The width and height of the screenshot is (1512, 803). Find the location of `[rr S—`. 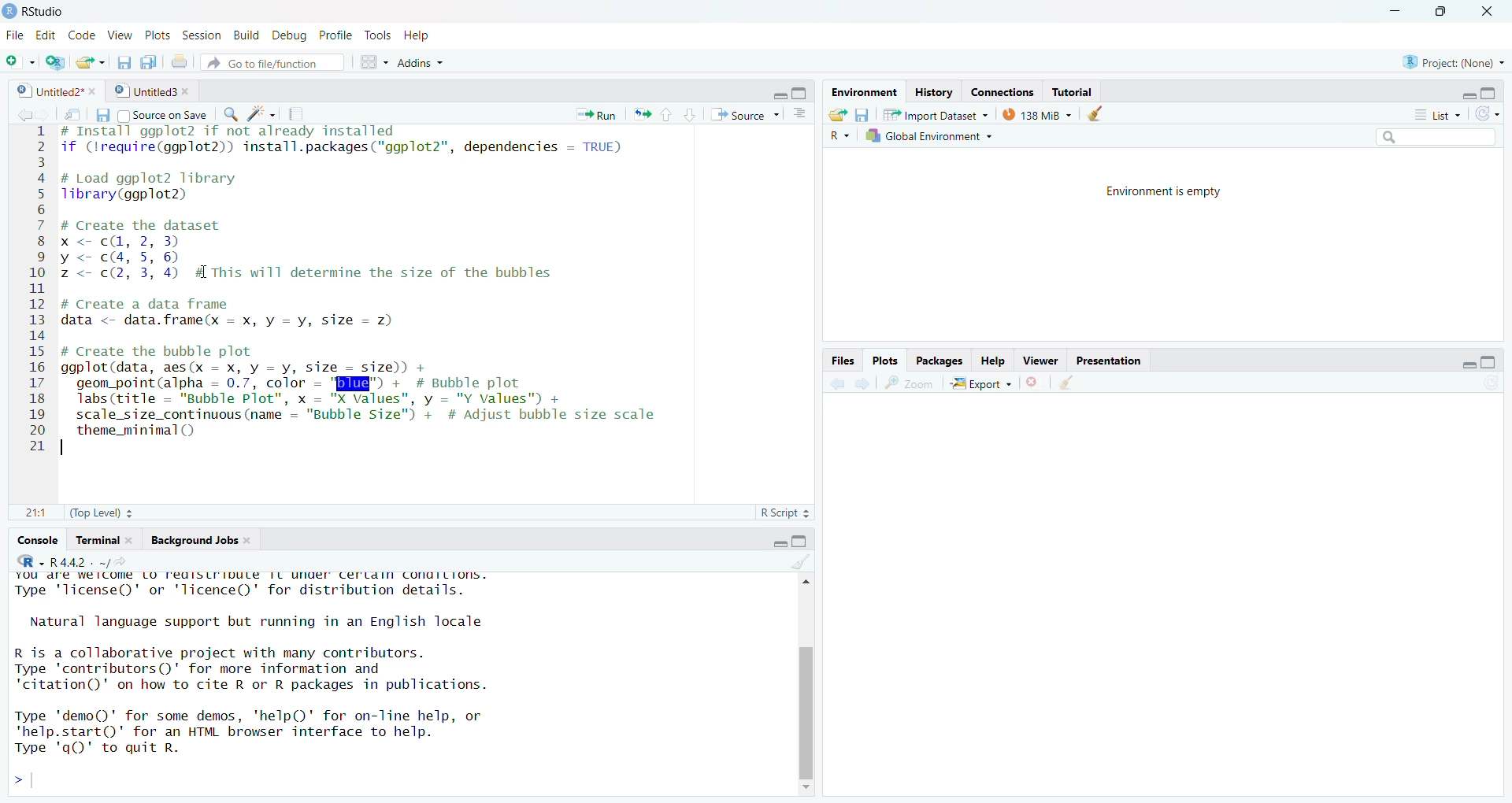

[rr S— is located at coordinates (862, 88).